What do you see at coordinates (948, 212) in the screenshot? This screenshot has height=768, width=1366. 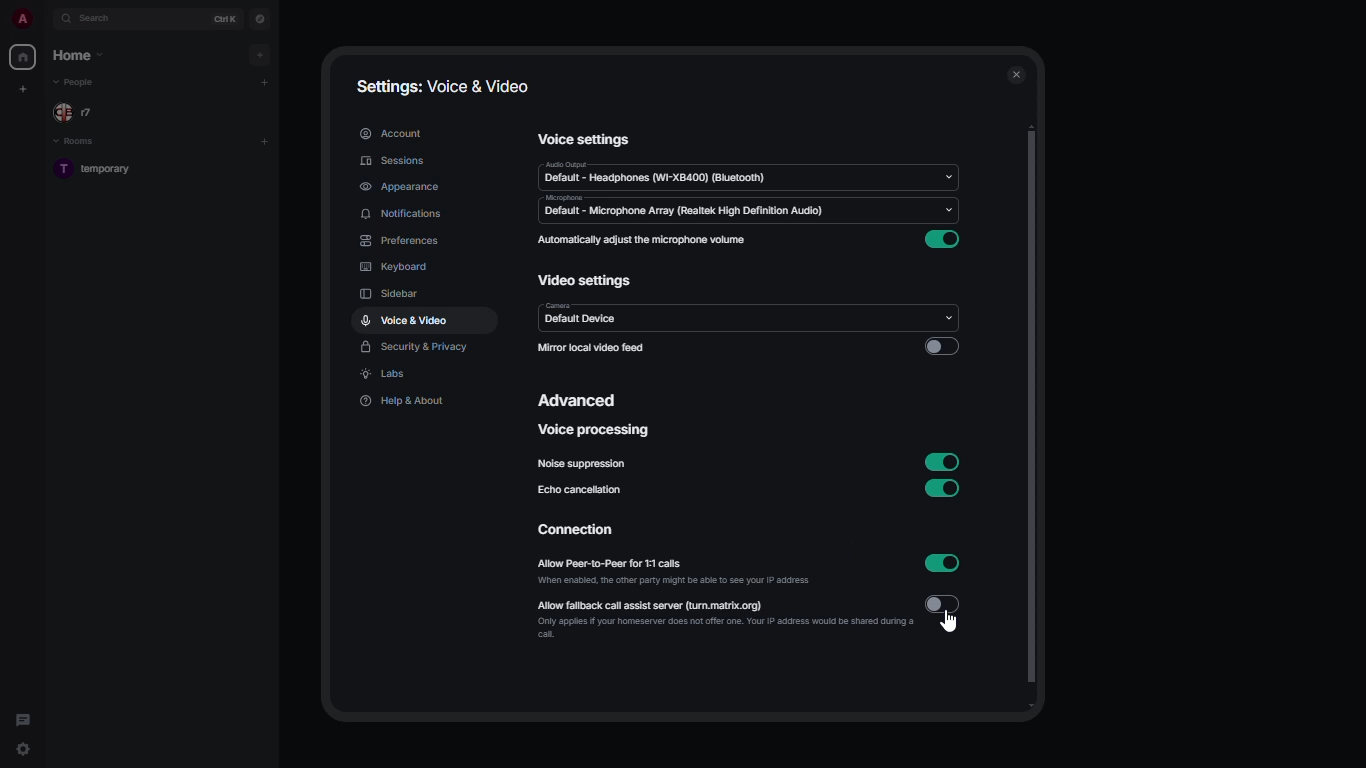 I see `` at bounding box center [948, 212].